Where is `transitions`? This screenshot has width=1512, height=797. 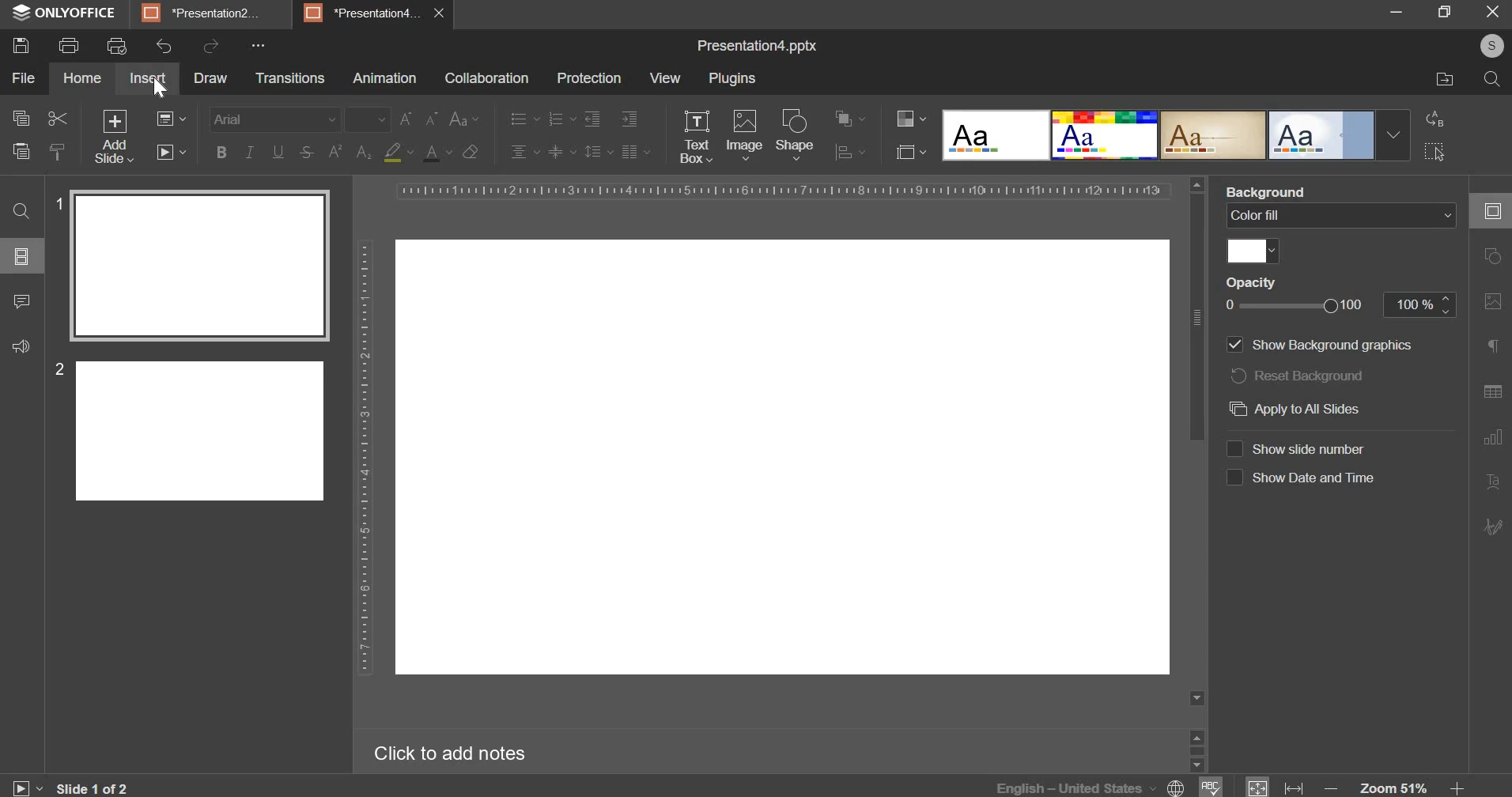
transitions is located at coordinates (289, 77).